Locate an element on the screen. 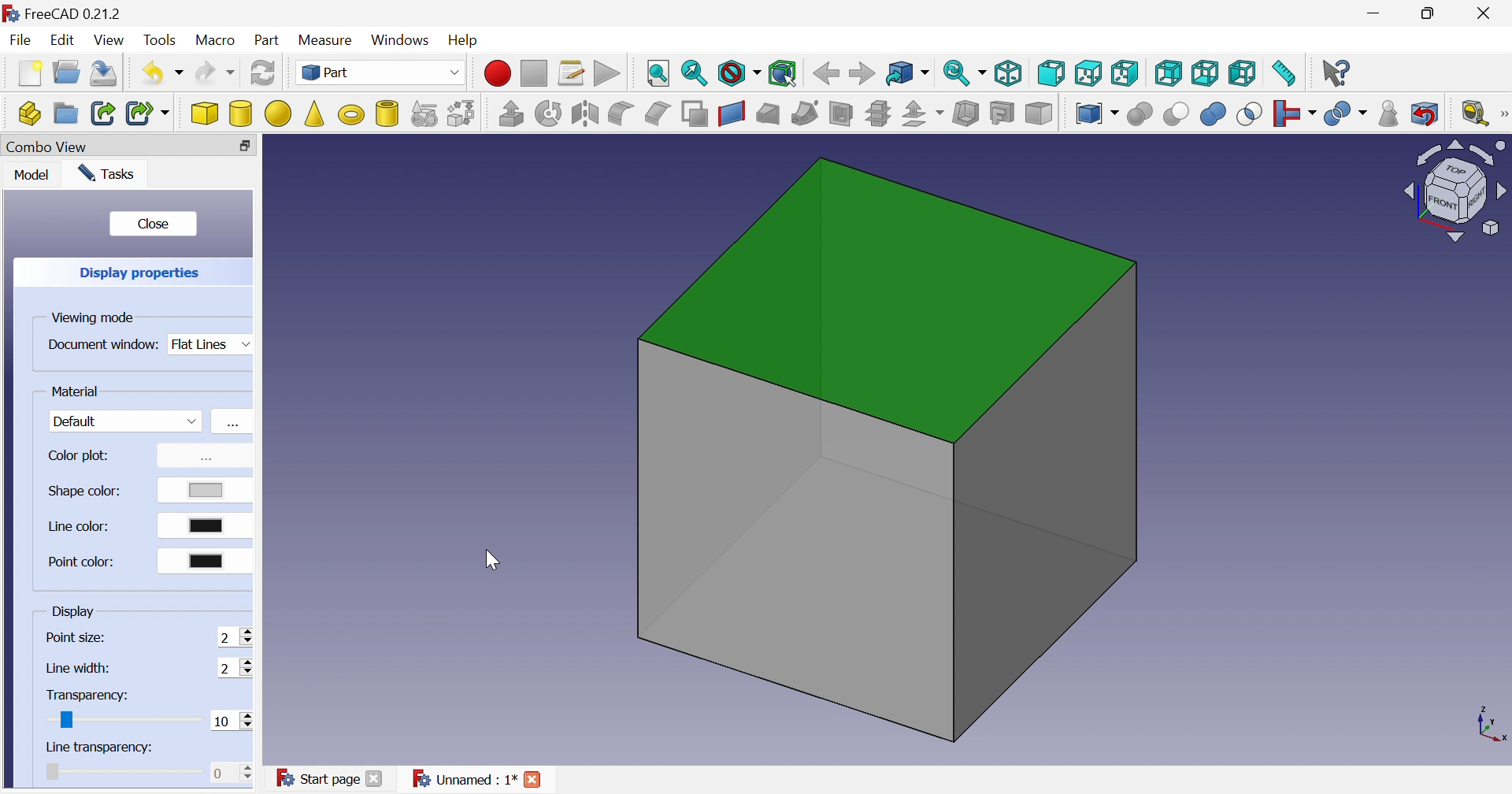 The width and height of the screenshot is (1512, 794). Switch between workbenches is located at coordinates (383, 72).